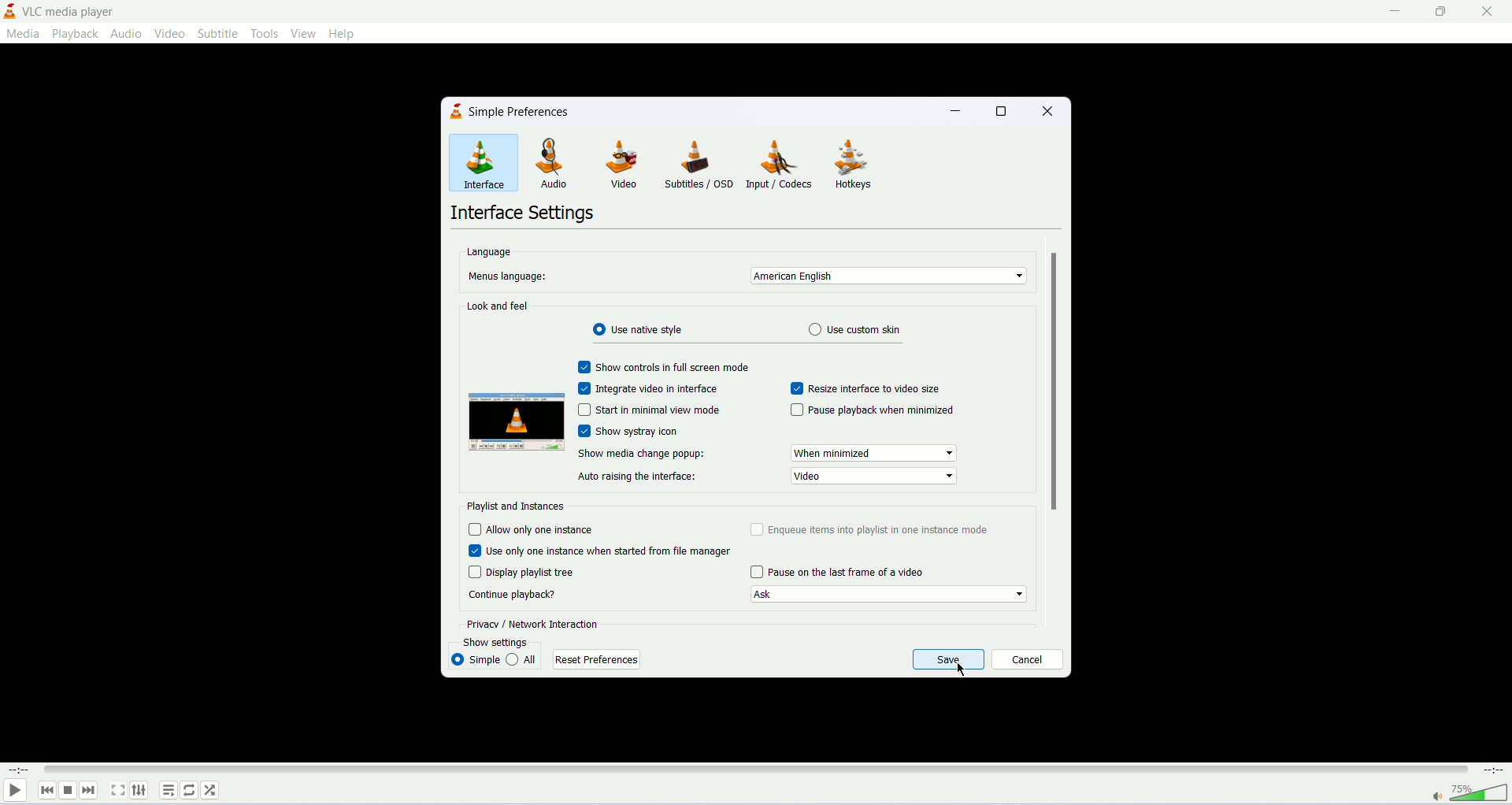  I want to click on privacy and network interaction, so click(535, 623).